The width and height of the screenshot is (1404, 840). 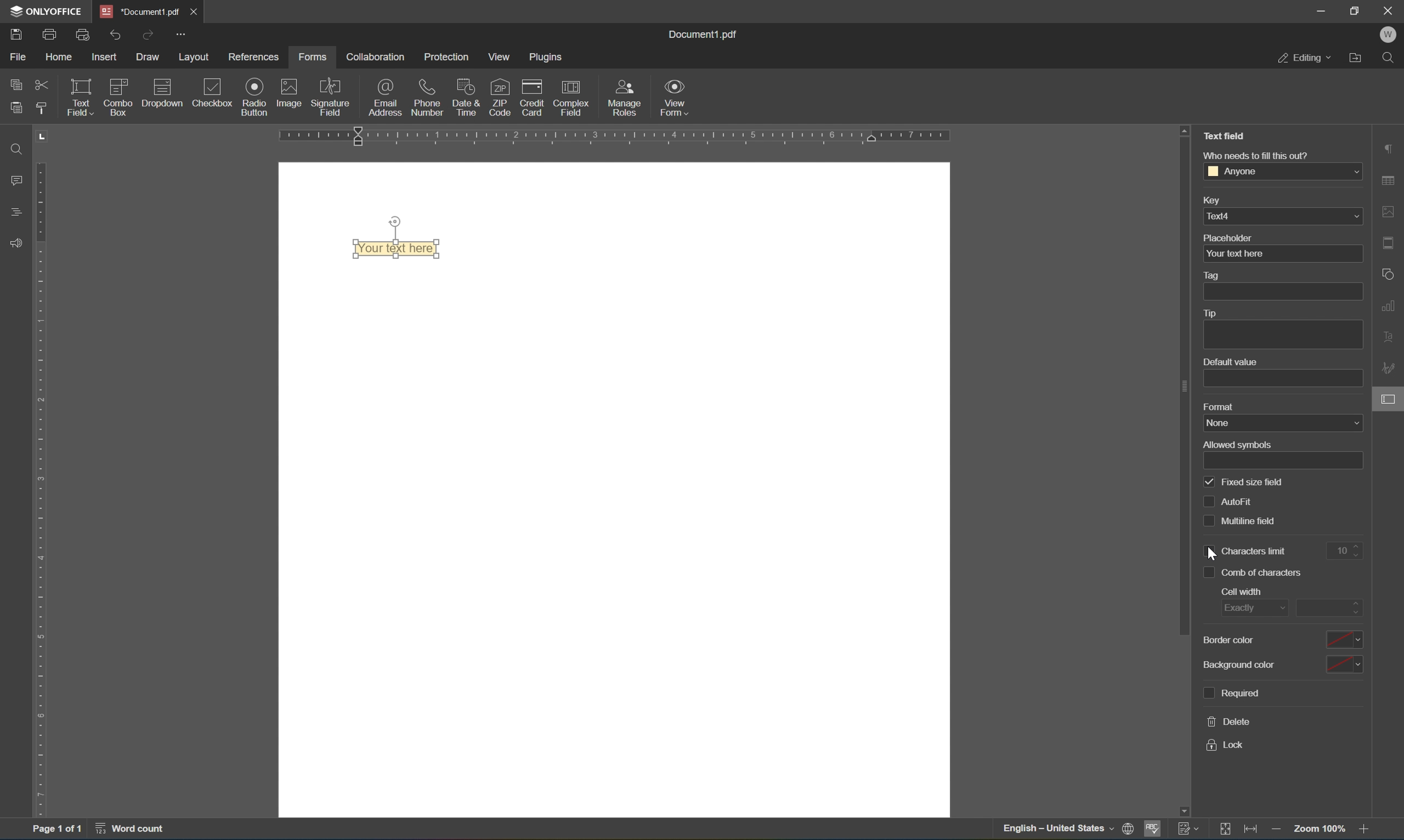 What do you see at coordinates (1185, 385) in the screenshot?
I see `scroll bar` at bounding box center [1185, 385].